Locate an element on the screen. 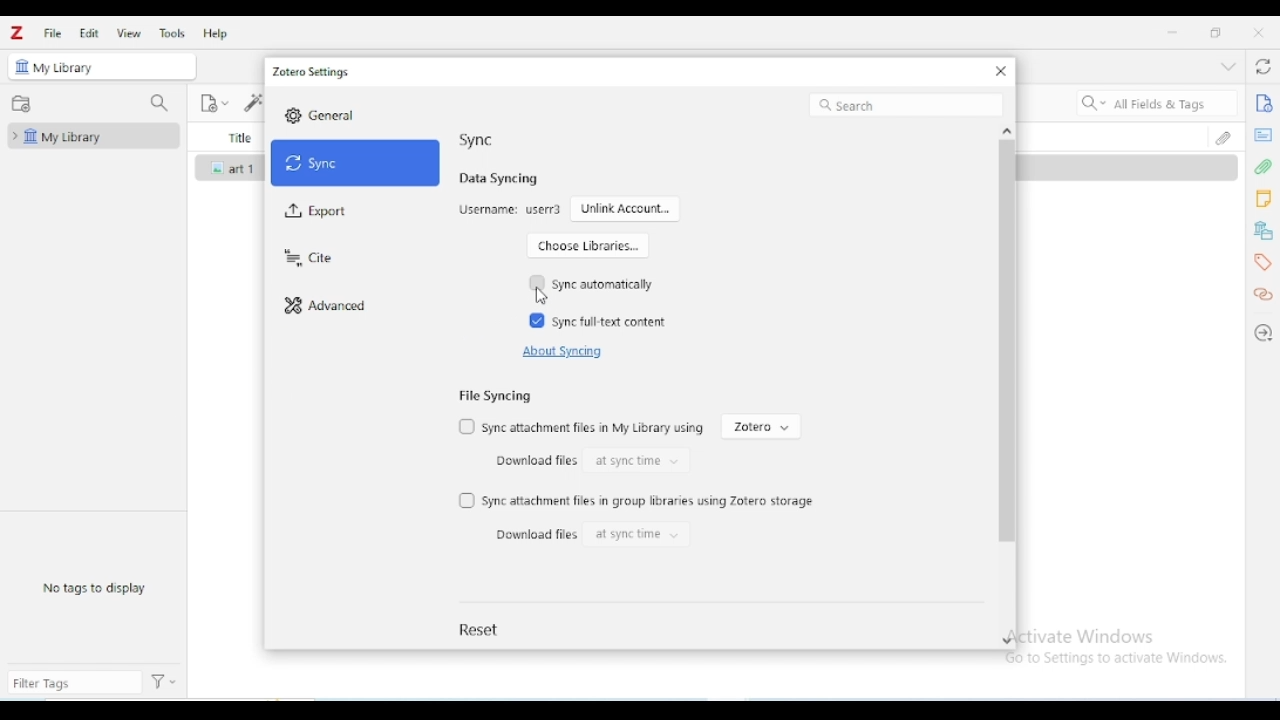 This screenshot has height=720, width=1280. logo is located at coordinates (16, 32).